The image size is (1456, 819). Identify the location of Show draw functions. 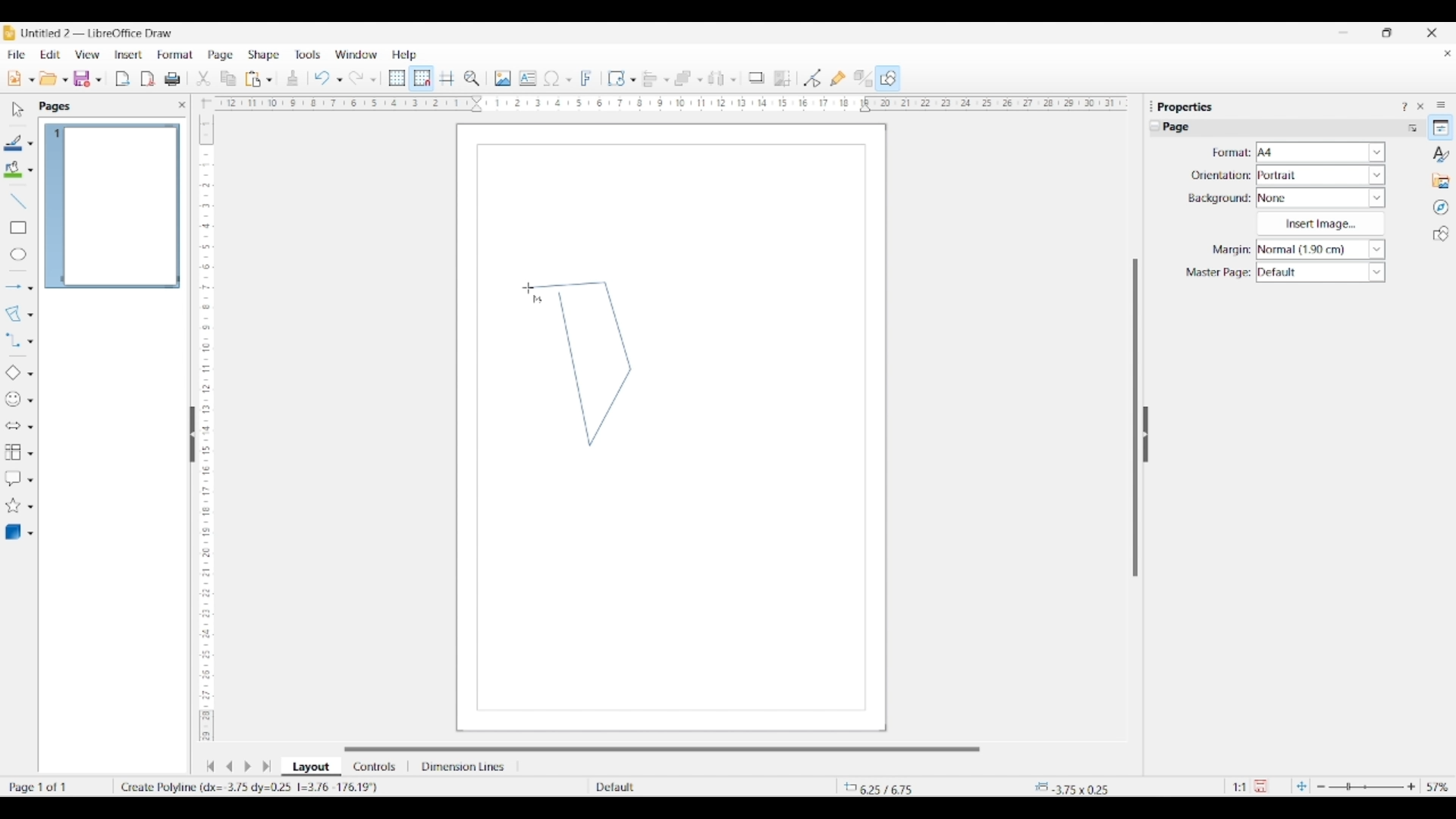
(888, 77).